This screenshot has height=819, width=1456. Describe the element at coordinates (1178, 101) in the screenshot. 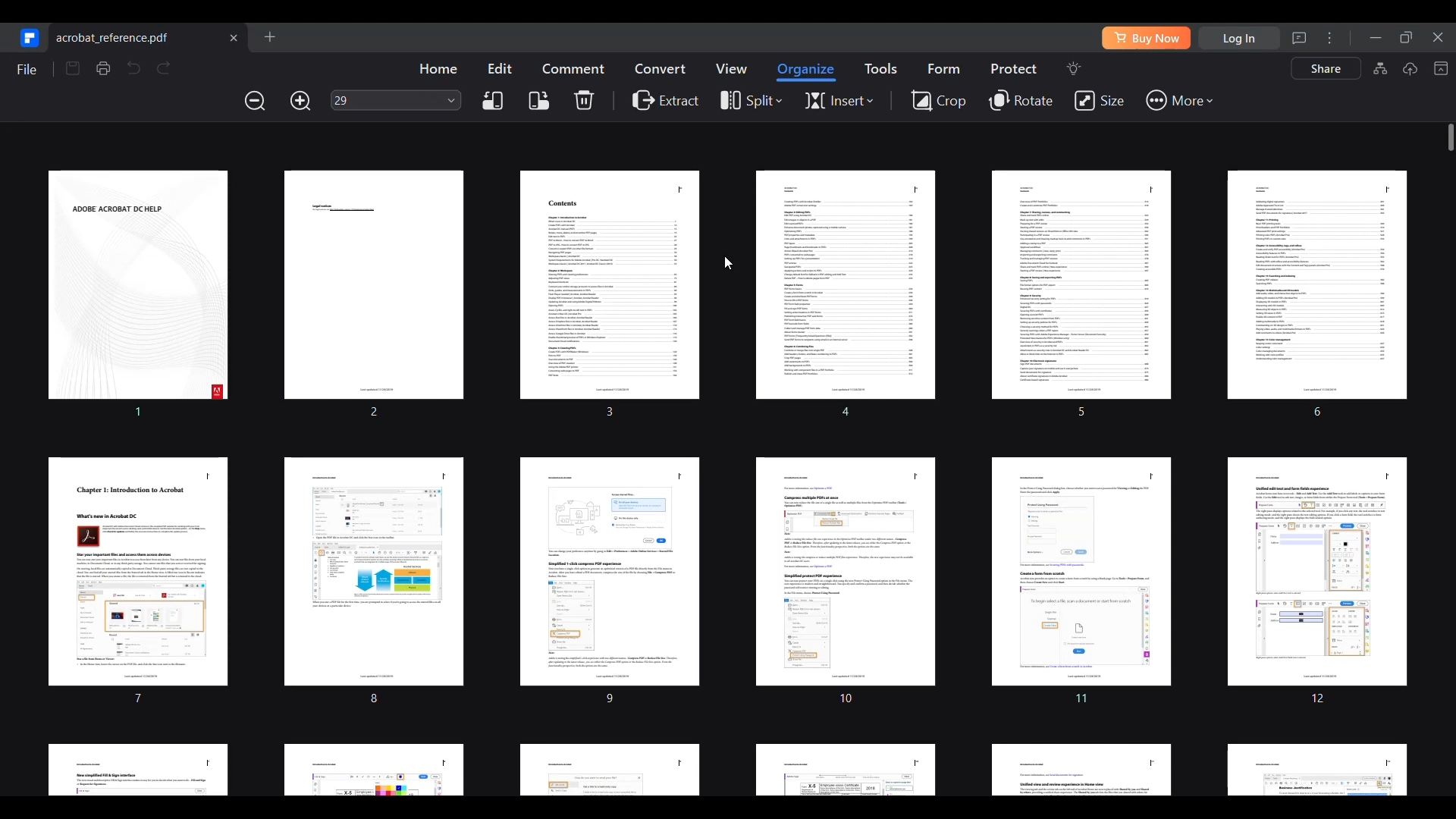

I see `More tools` at that location.